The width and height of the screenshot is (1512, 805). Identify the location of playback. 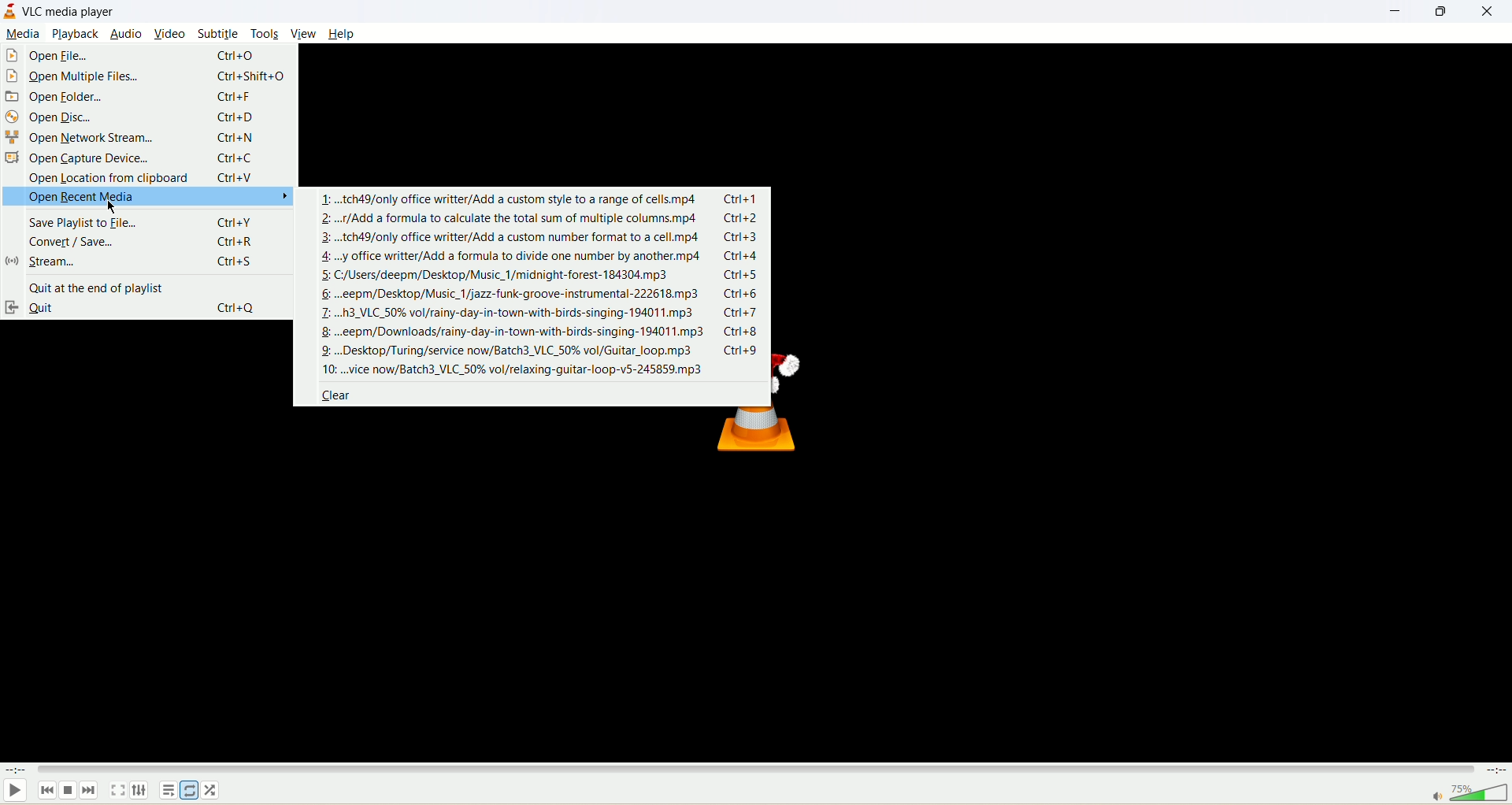
(76, 33).